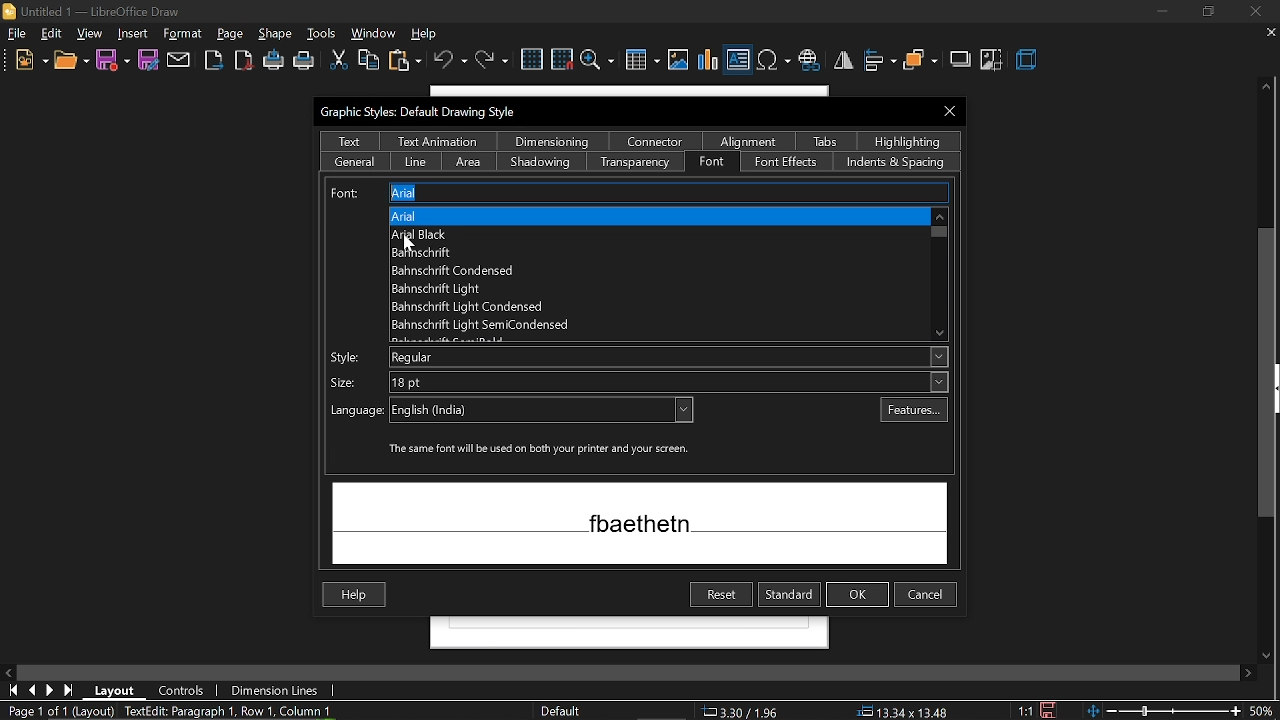 The width and height of the screenshot is (1280, 720). I want to click on ok, so click(858, 595).